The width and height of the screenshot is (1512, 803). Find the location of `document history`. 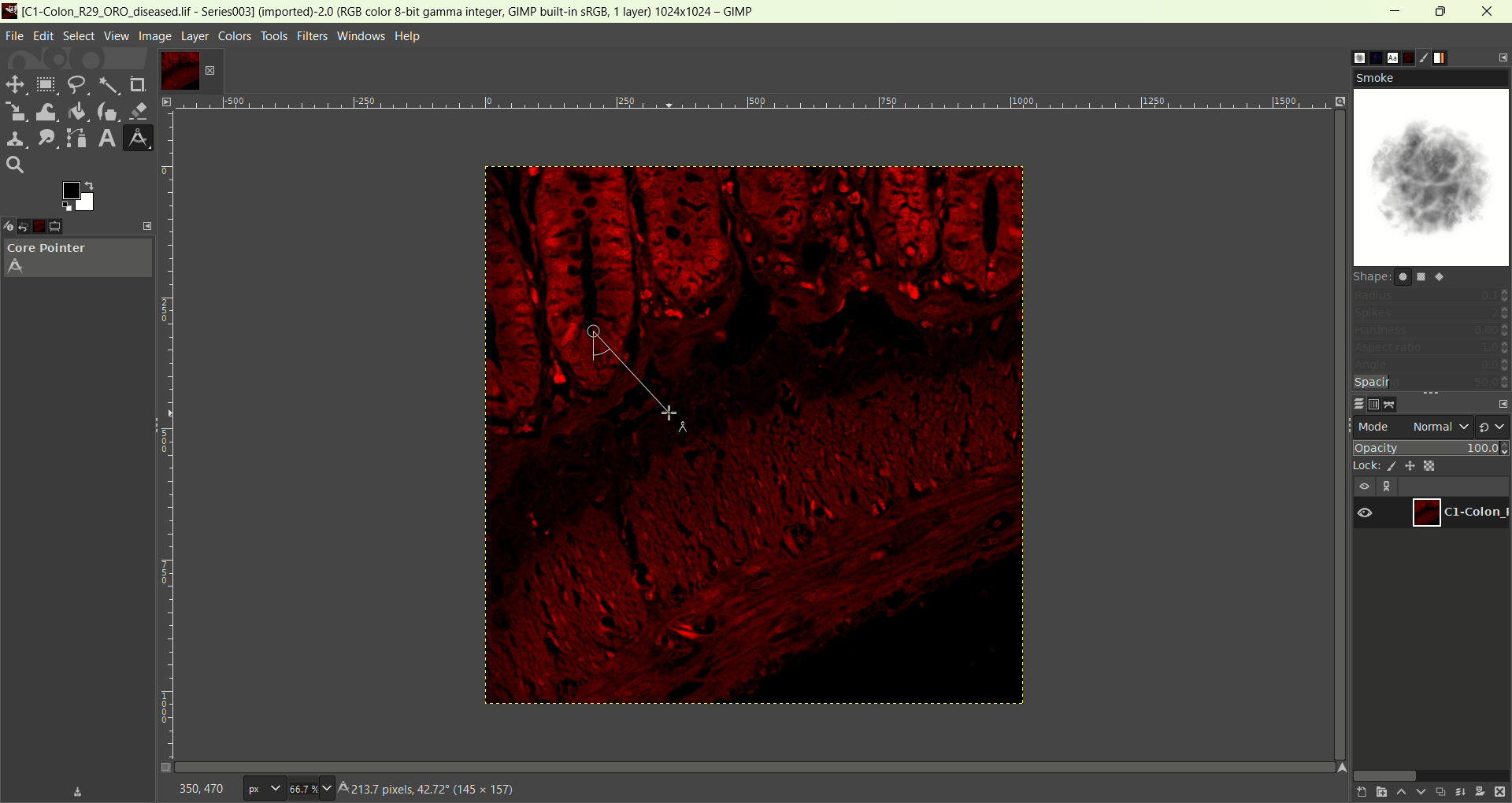

document history is located at coordinates (1409, 56).